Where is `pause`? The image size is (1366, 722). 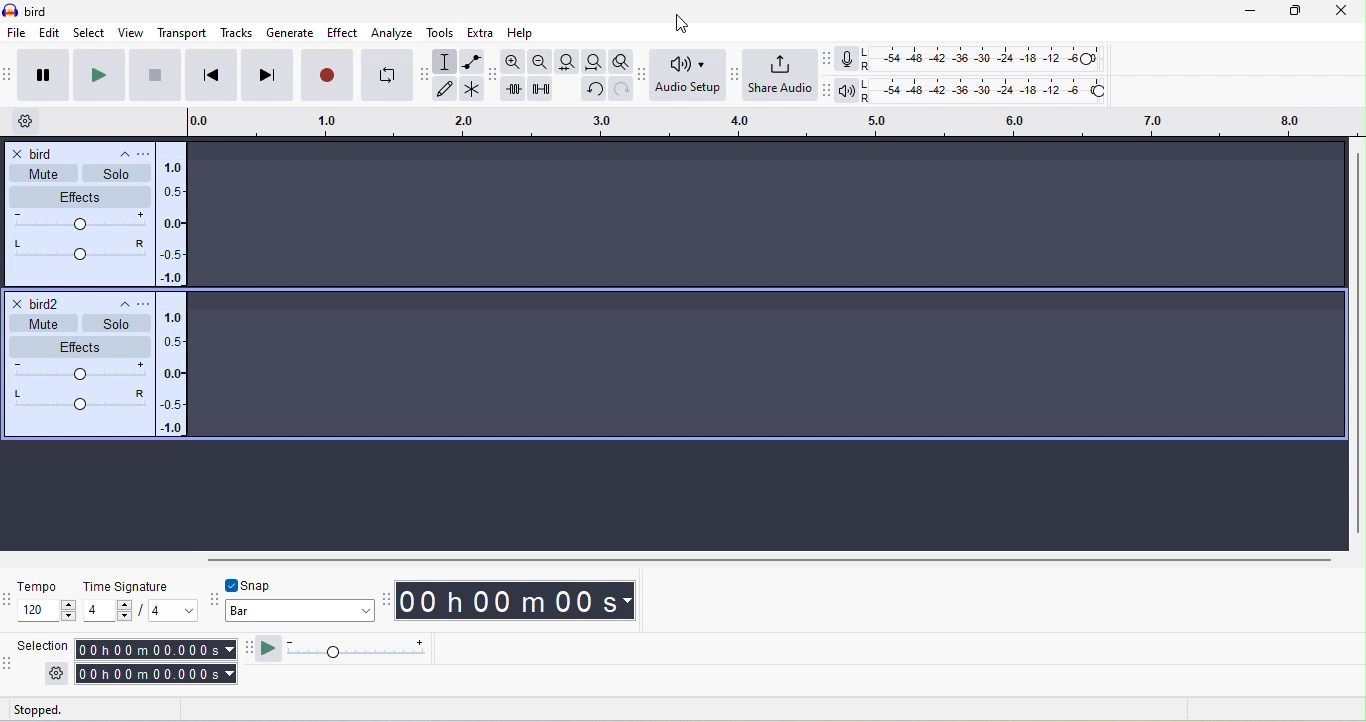
pause is located at coordinates (42, 73).